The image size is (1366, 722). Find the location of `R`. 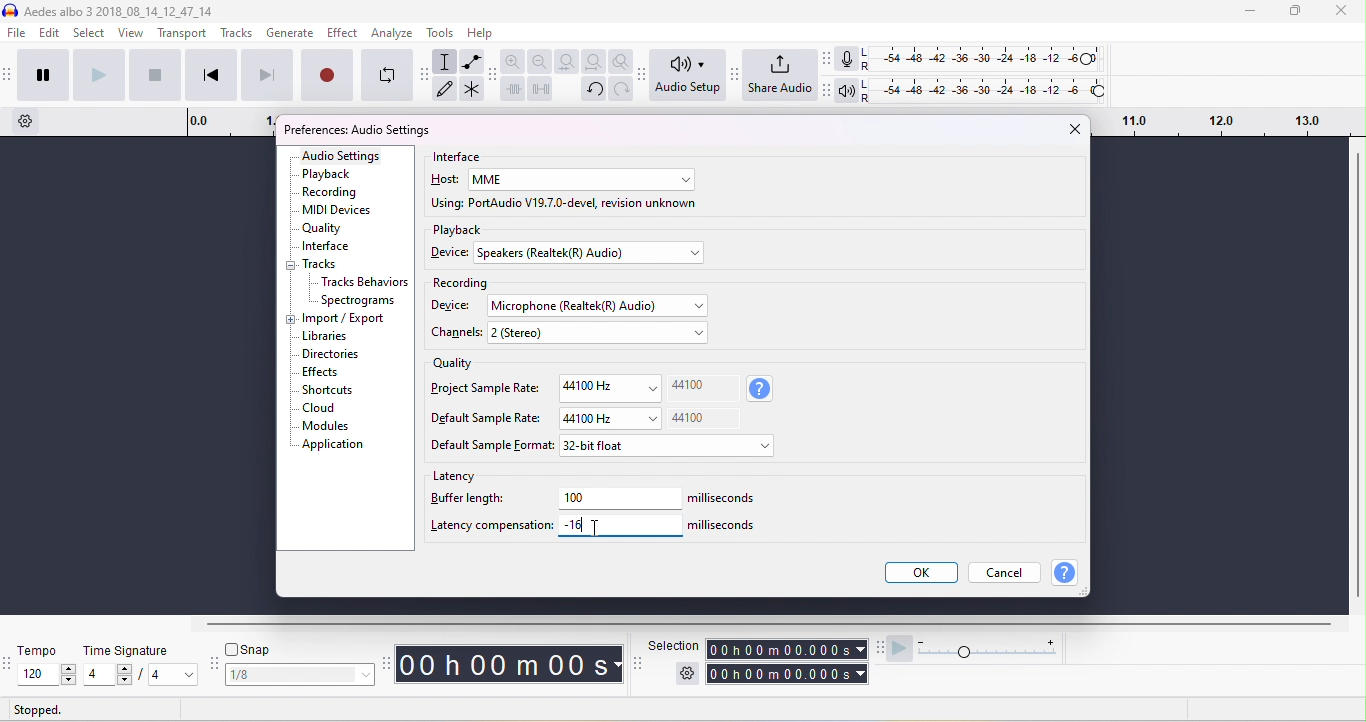

R is located at coordinates (867, 68).